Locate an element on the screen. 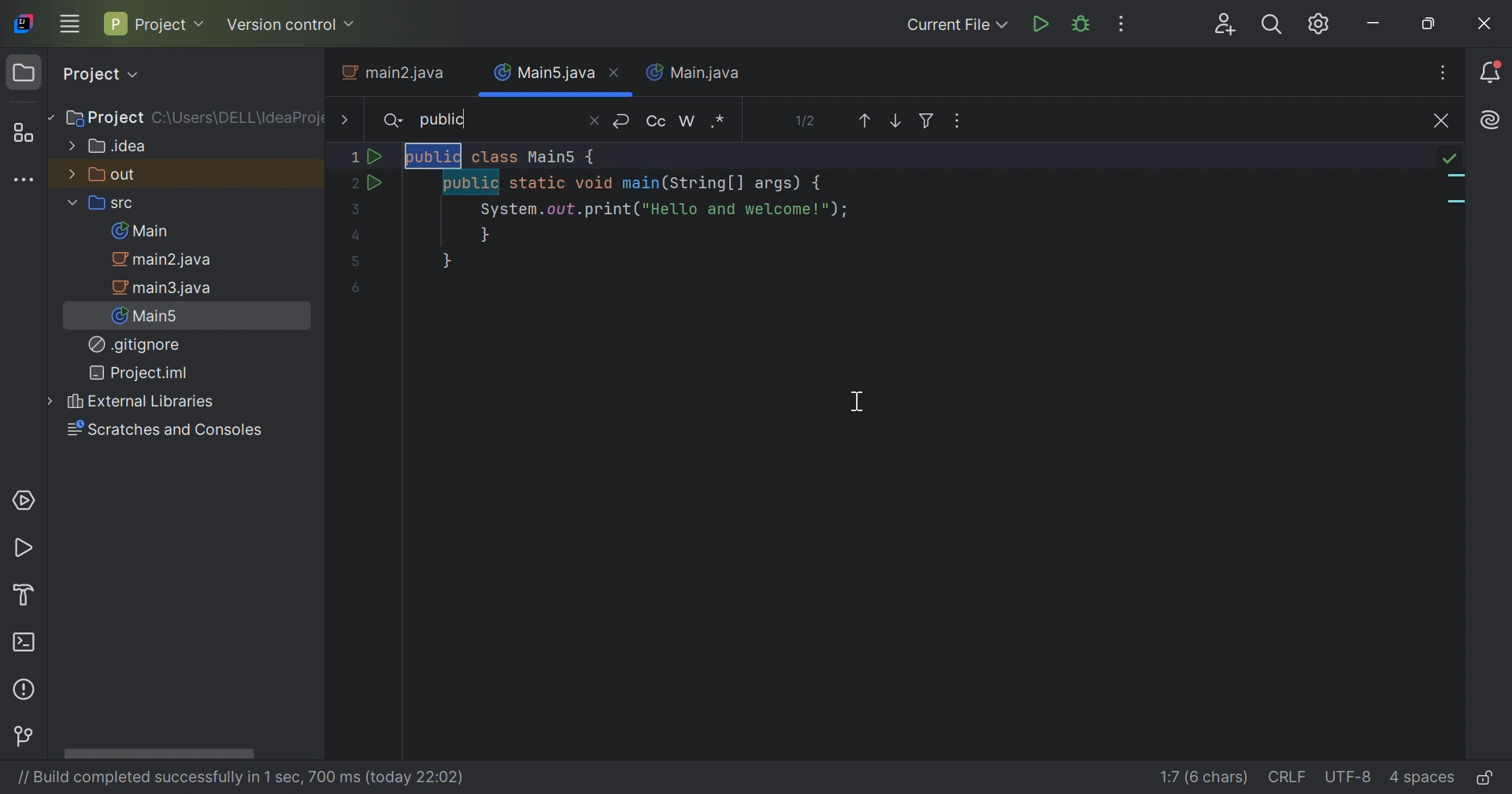 This screenshot has height=794, width=1512. Words is located at coordinates (689, 120).